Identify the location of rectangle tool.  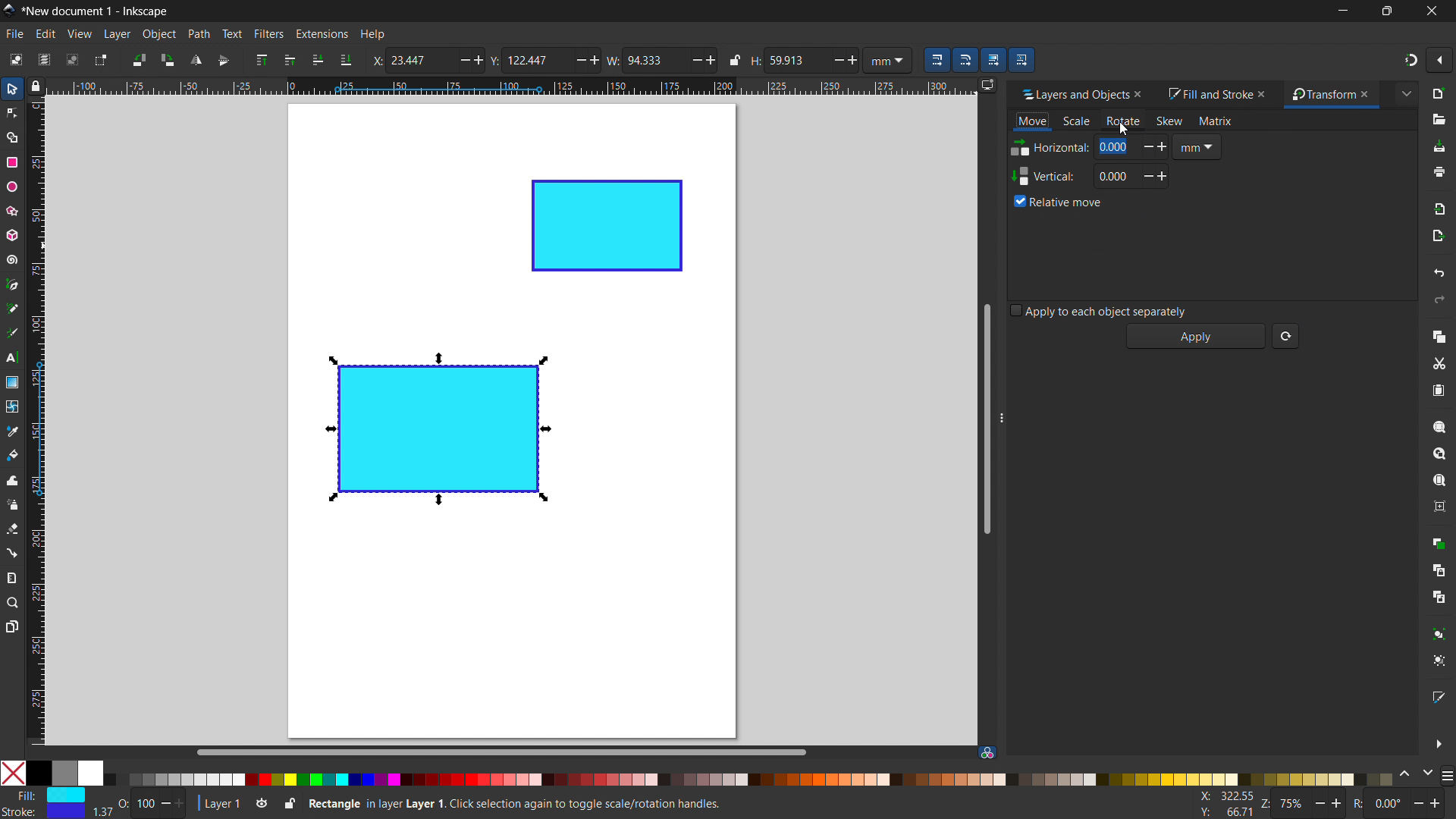
(12, 162).